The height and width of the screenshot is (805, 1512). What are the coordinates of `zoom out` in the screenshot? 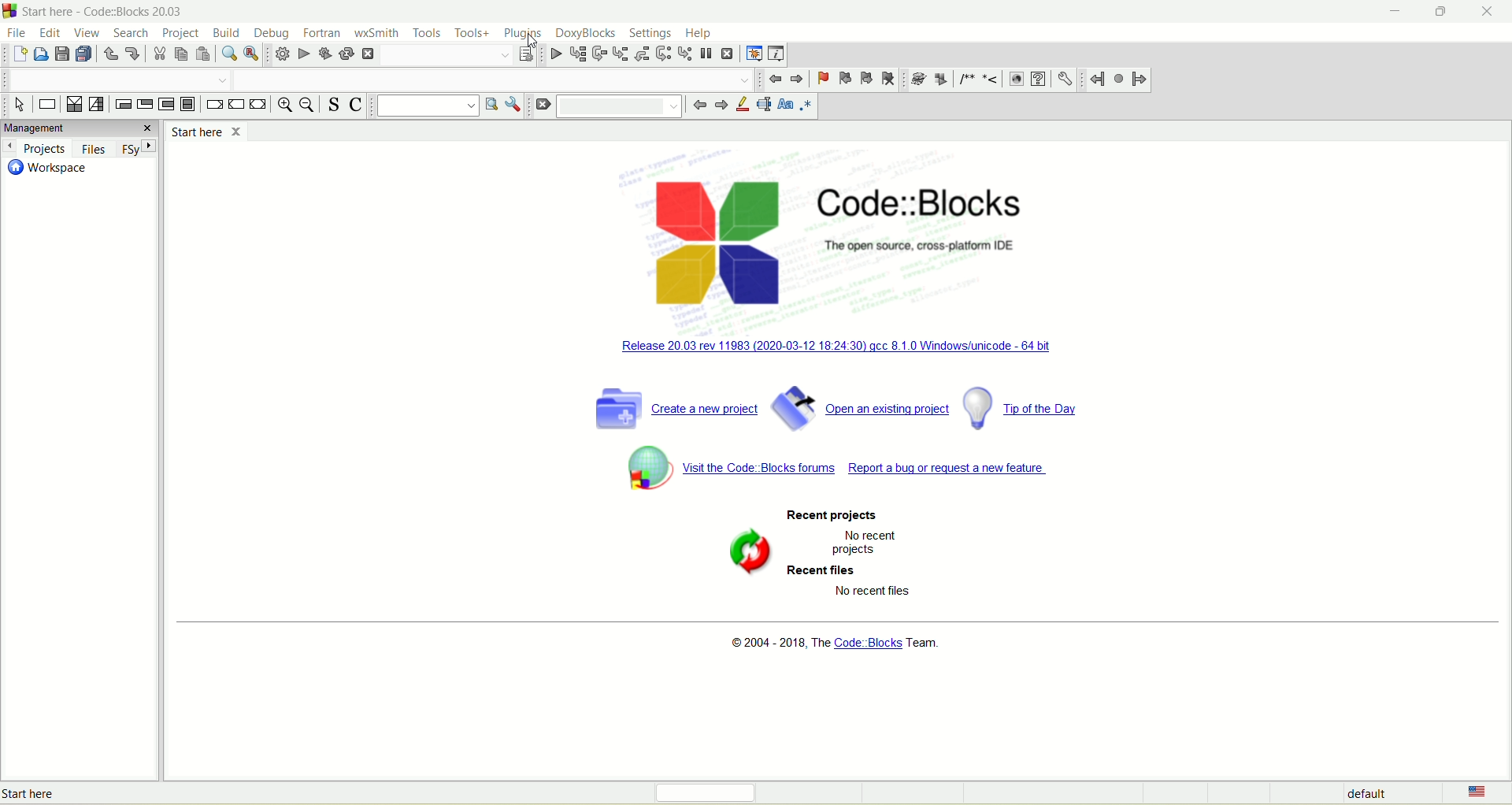 It's located at (307, 106).